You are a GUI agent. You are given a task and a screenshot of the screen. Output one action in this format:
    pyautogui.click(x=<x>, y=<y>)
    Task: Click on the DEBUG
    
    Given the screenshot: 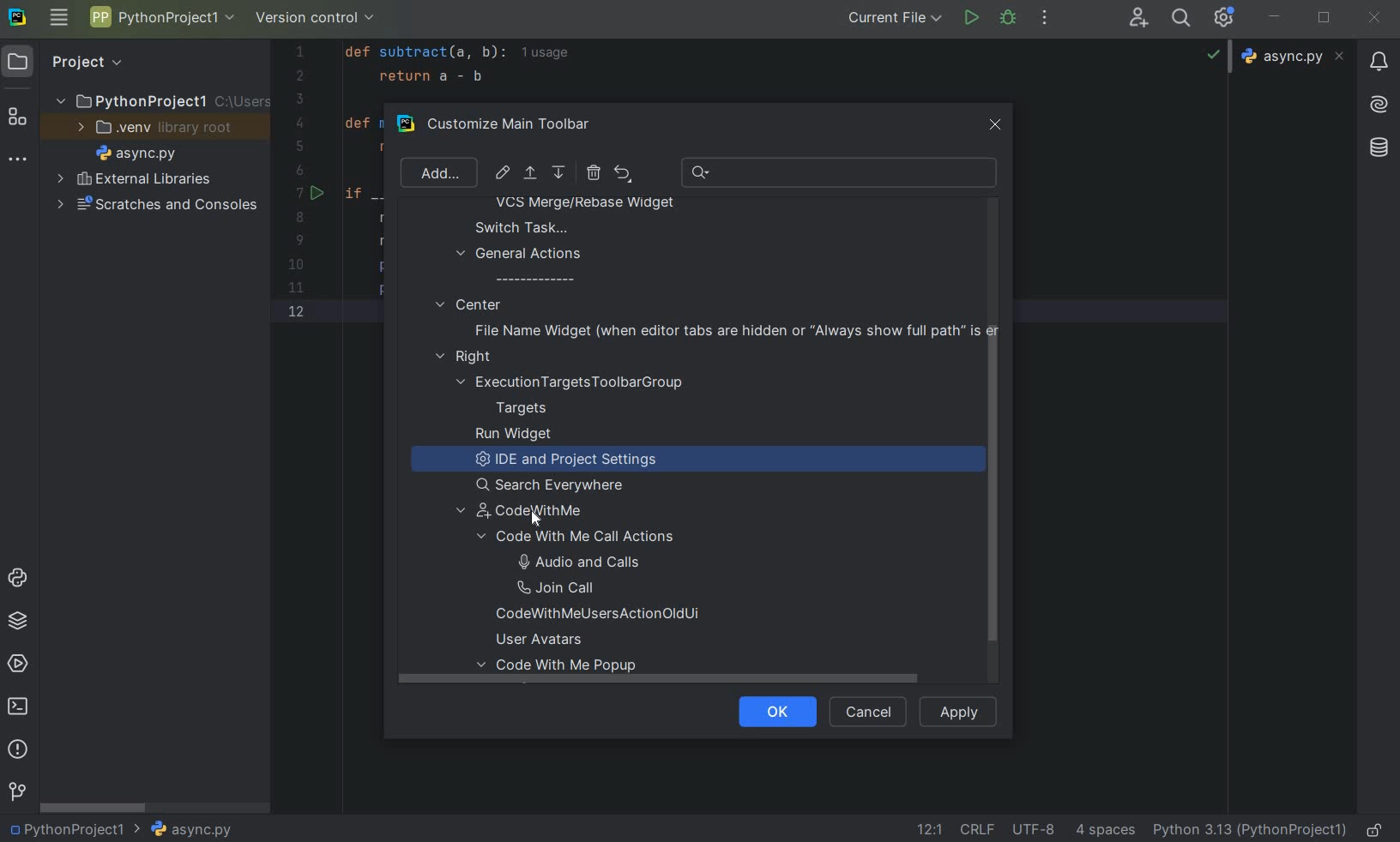 What is the action you would take?
    pyautogui.click(x=1011, y=21)
    